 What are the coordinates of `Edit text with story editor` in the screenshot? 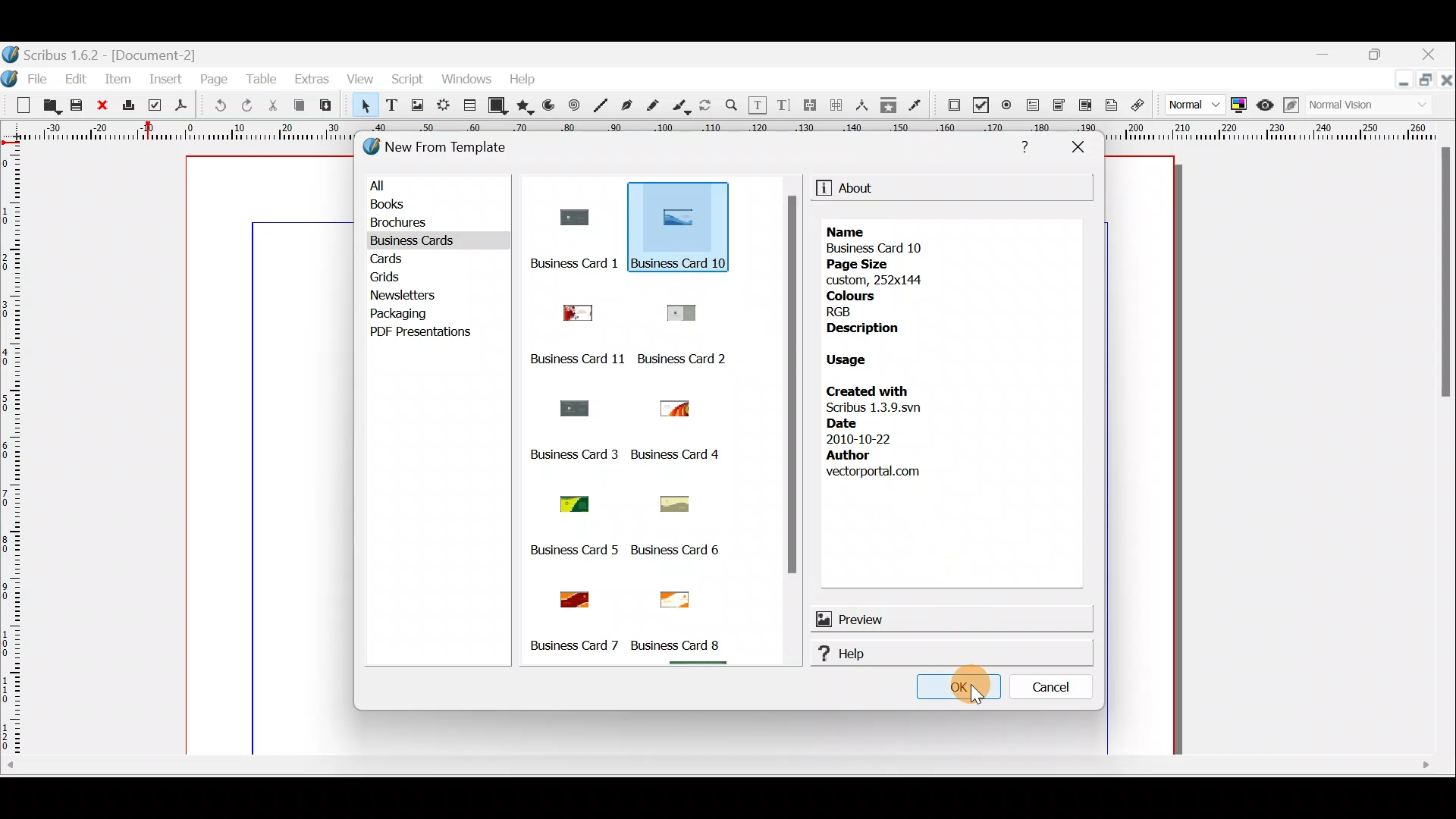 It's located at (784, 104).